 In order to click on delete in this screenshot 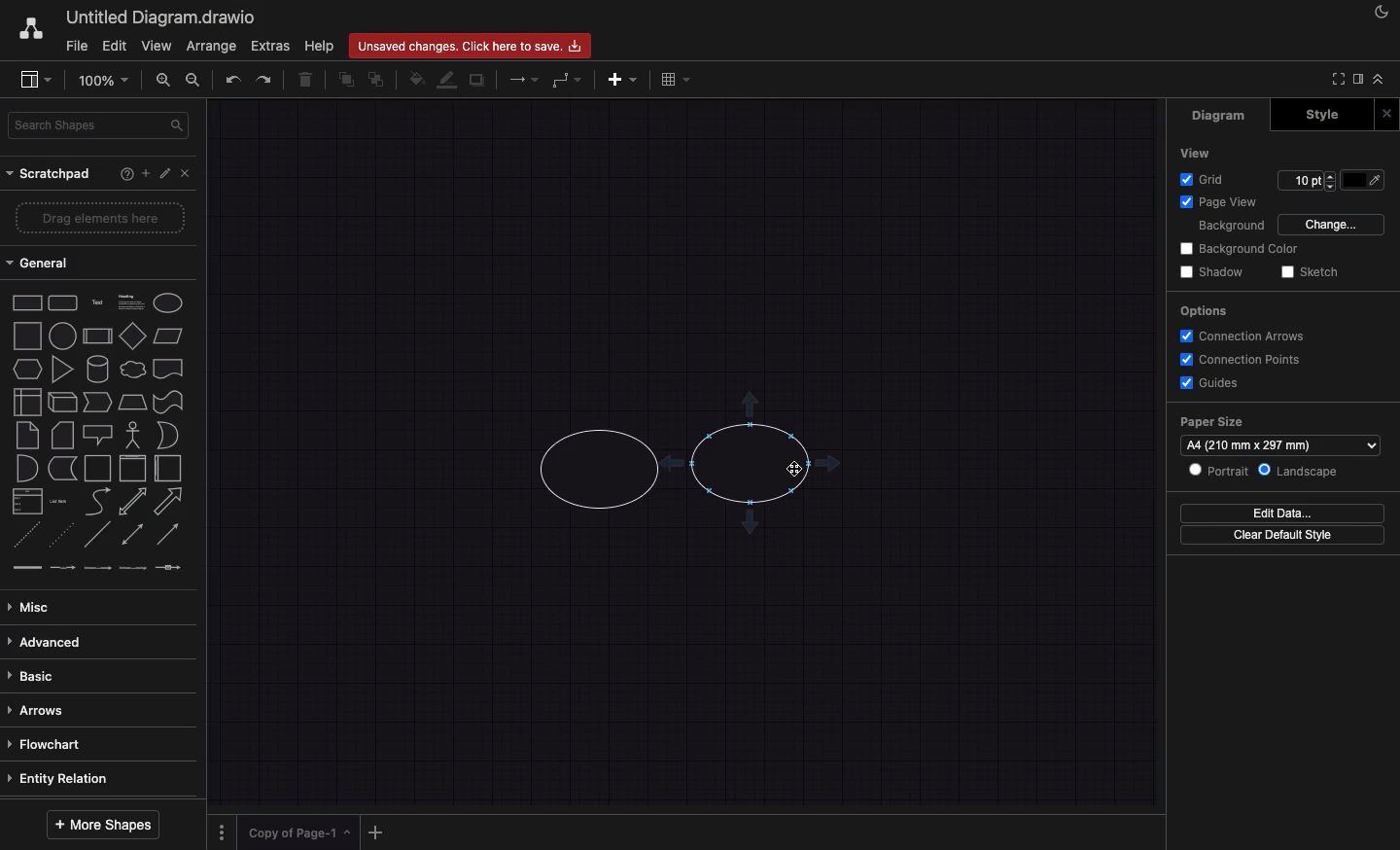, I will do `click(306, 79)`.